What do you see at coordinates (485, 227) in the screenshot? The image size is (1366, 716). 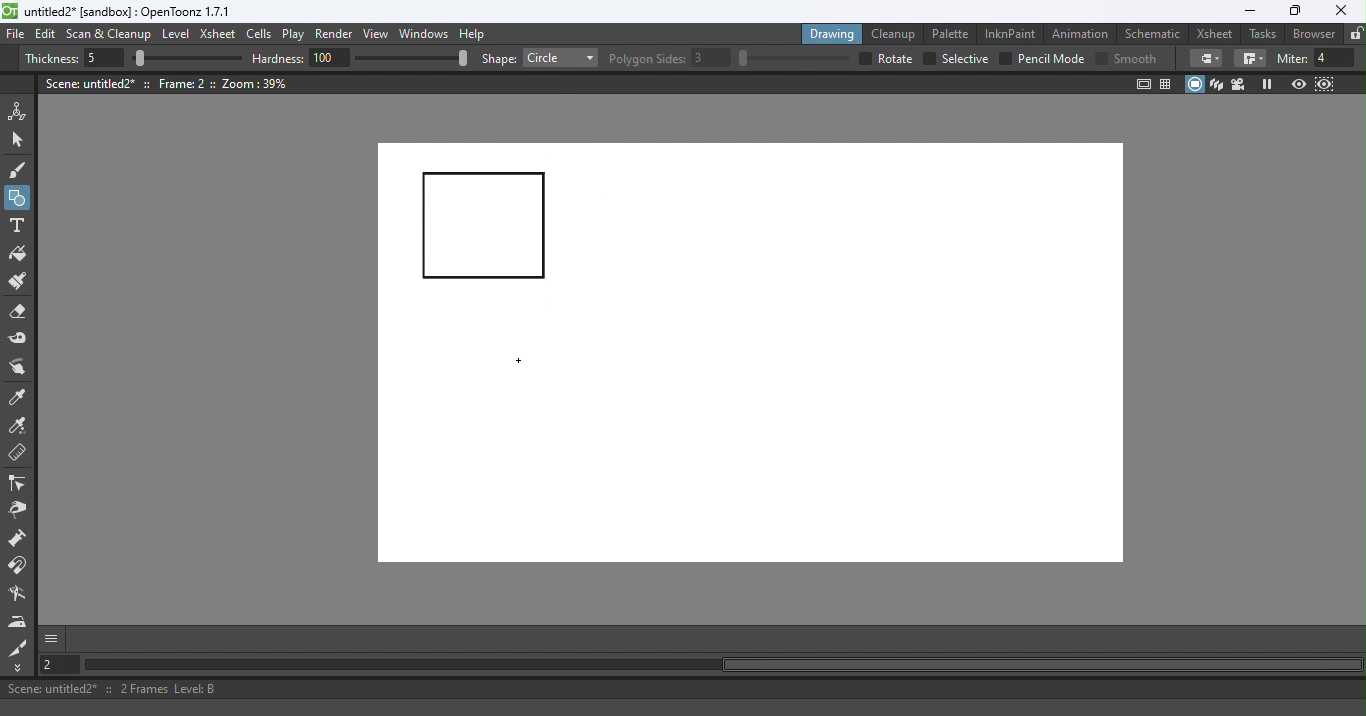 I see `Rectangle drawn` at bounding box center [485, 227].